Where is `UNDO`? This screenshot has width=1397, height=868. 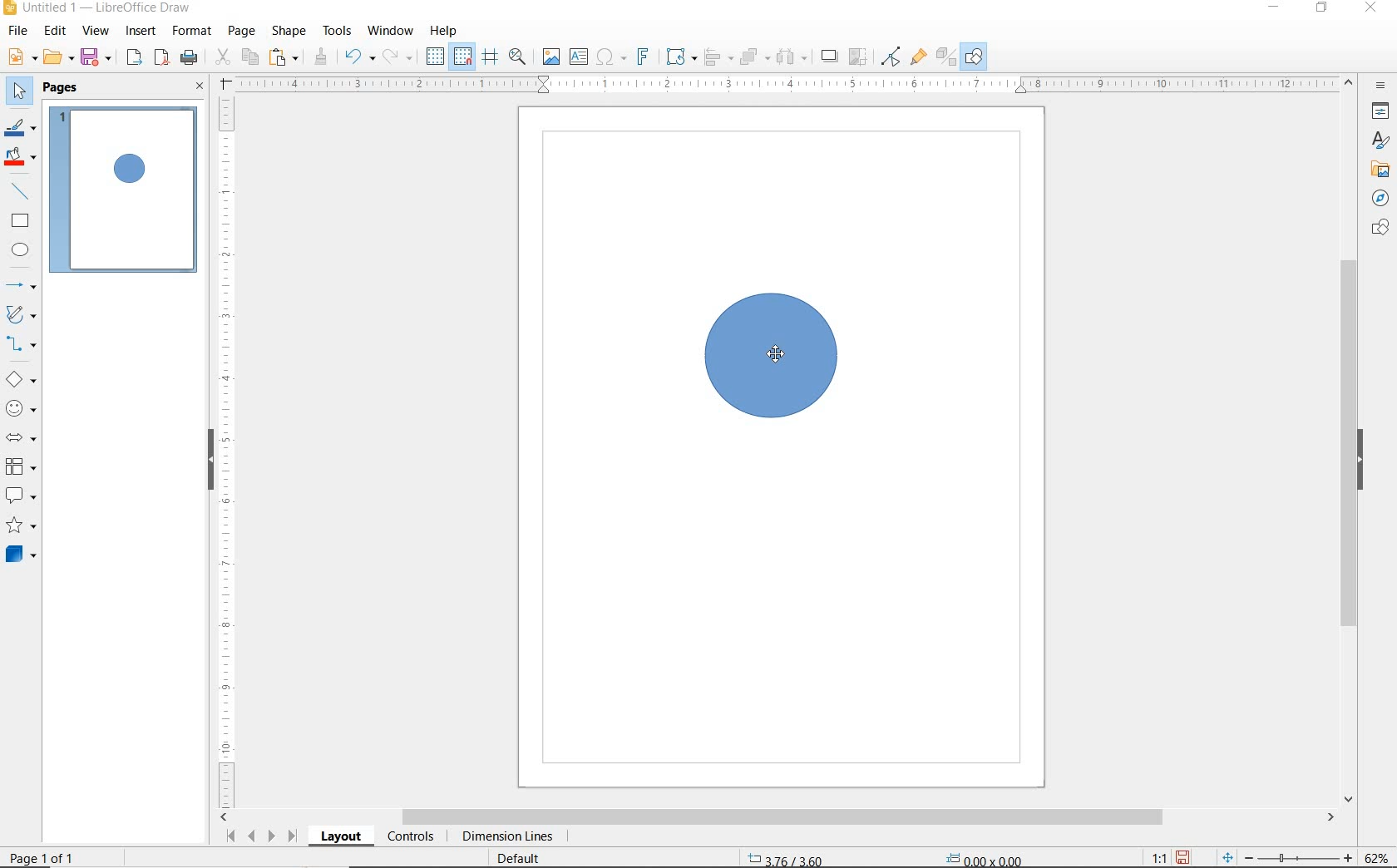
UNDO is located at coordinates (358, 57).